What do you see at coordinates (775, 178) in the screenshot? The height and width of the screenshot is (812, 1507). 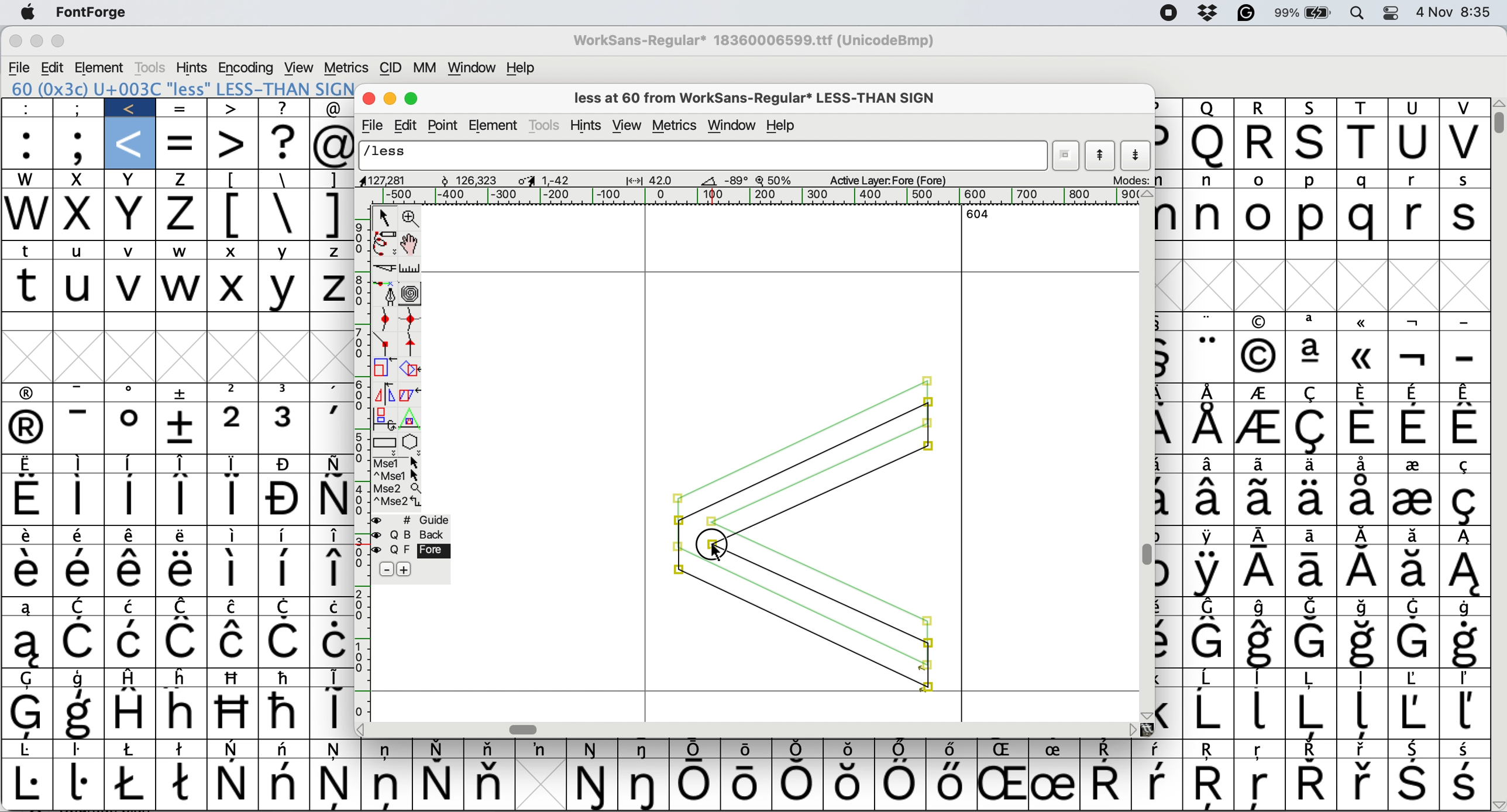 I see `zoom scale` at bounding box center [775, 178].